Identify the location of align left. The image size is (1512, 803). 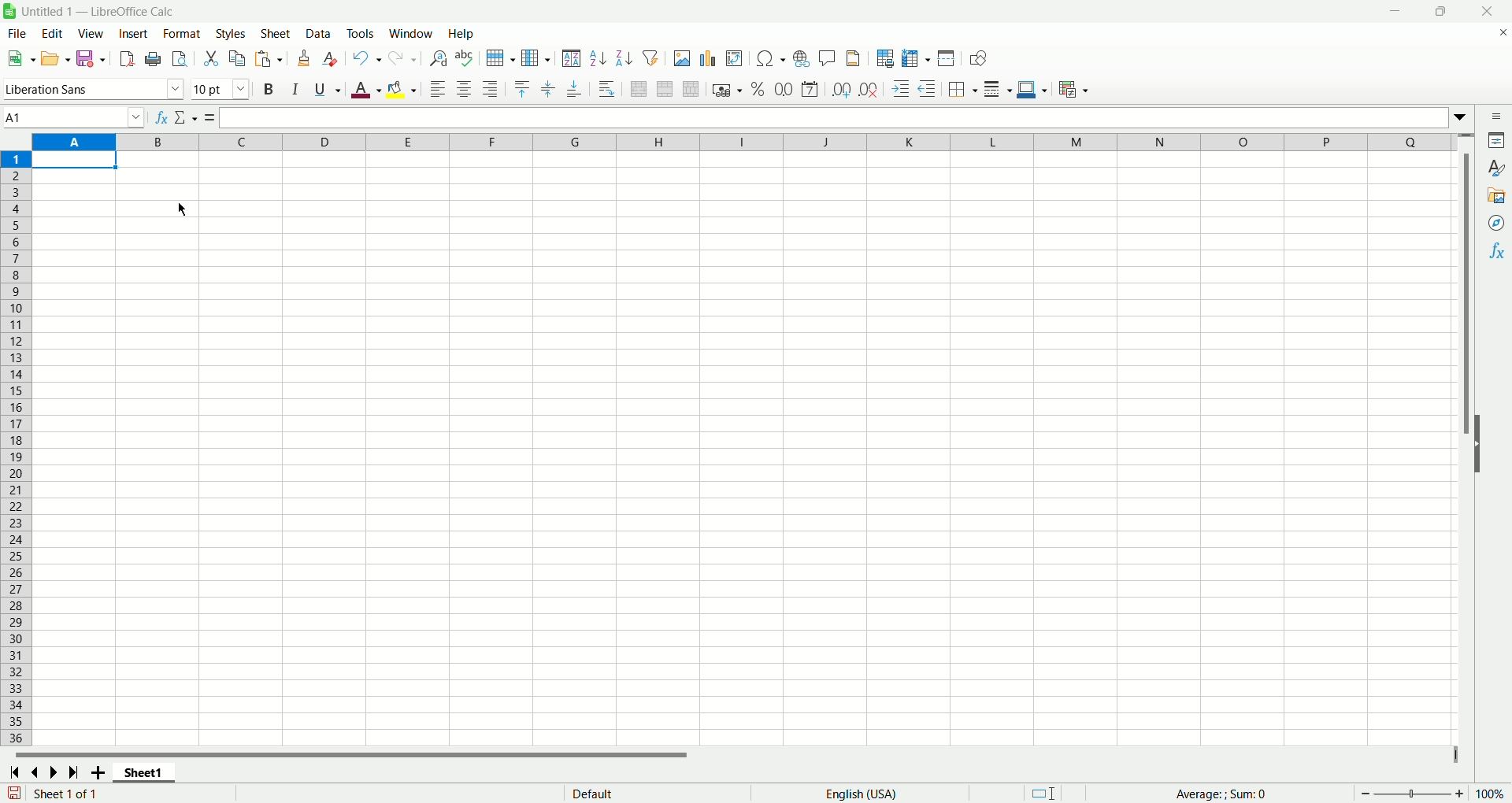
(440, 91).